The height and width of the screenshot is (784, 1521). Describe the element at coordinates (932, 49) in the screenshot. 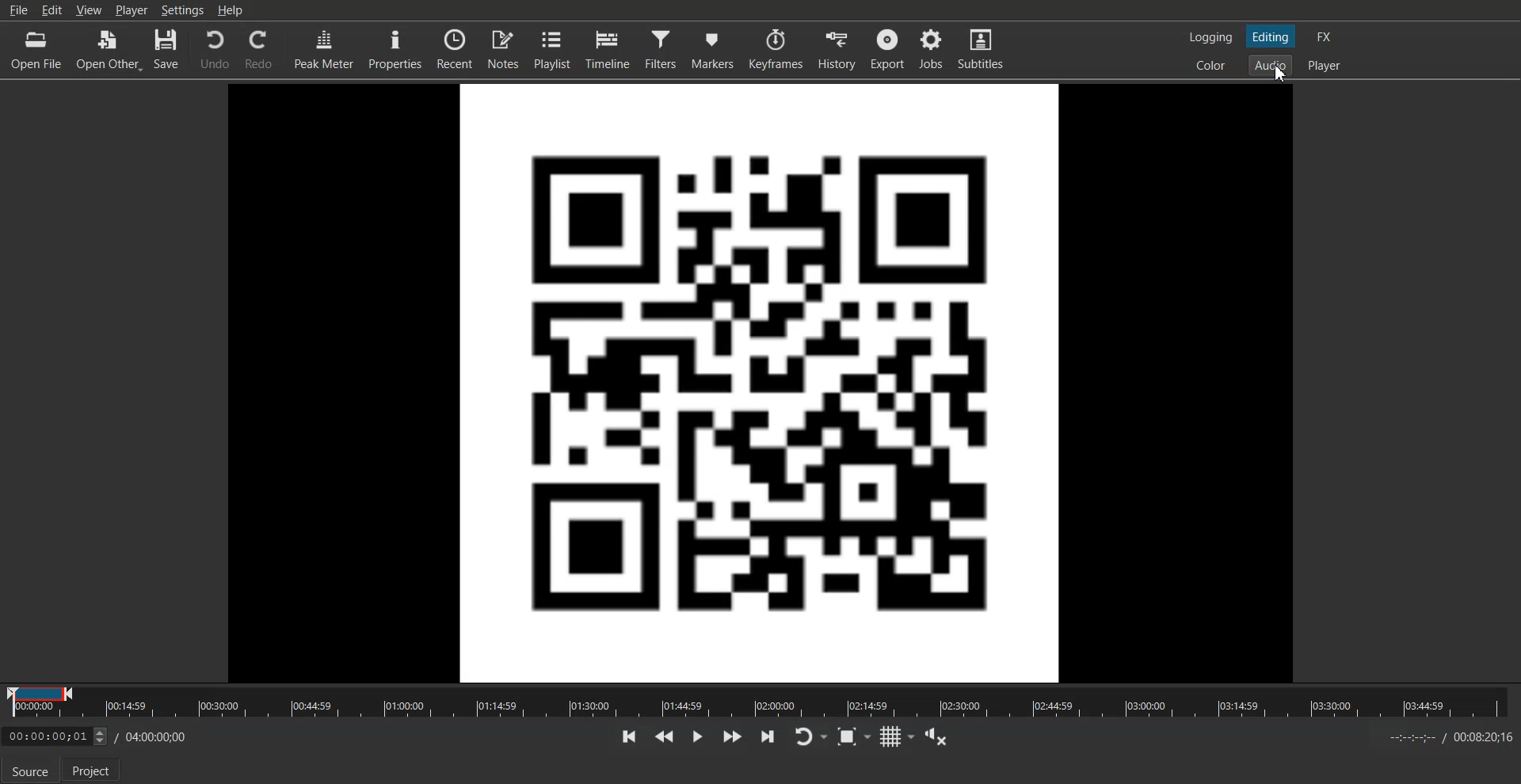

I see `Jobs` at that location.